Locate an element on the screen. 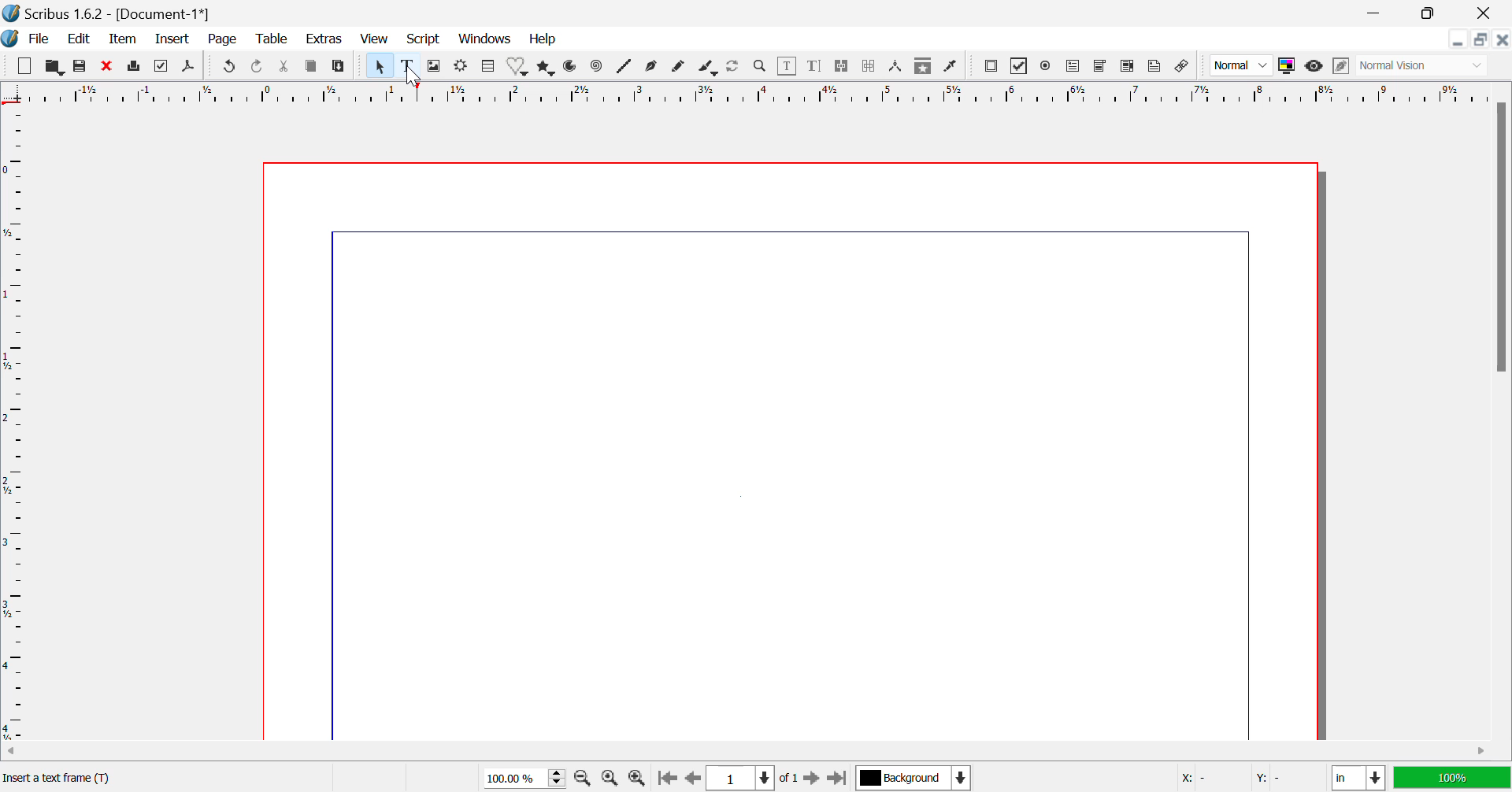 This screenshot has height=792, width=1512. Discard is located at coordinates (107, 66).